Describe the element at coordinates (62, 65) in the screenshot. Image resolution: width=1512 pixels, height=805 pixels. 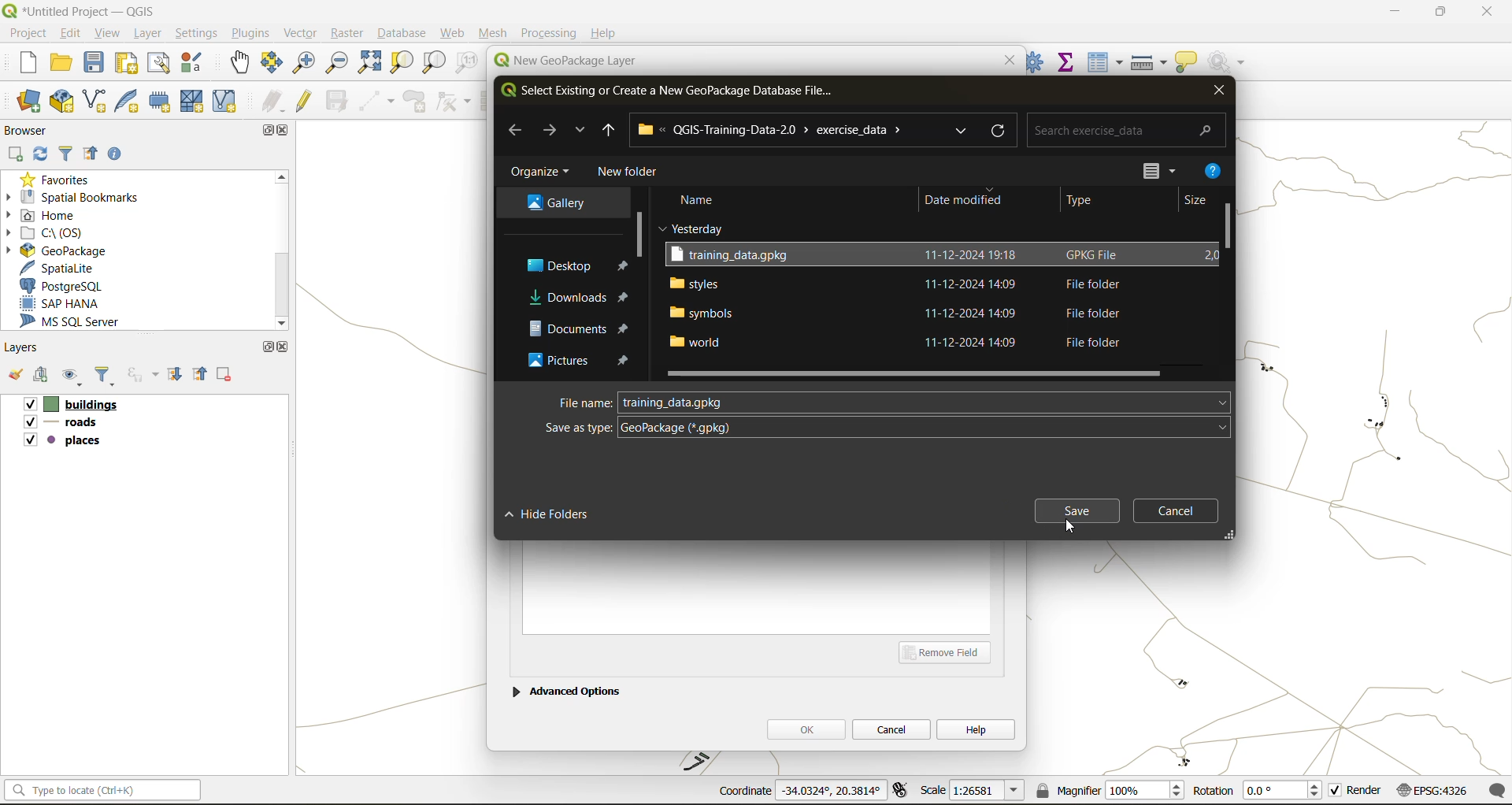
I see `open` at that location.